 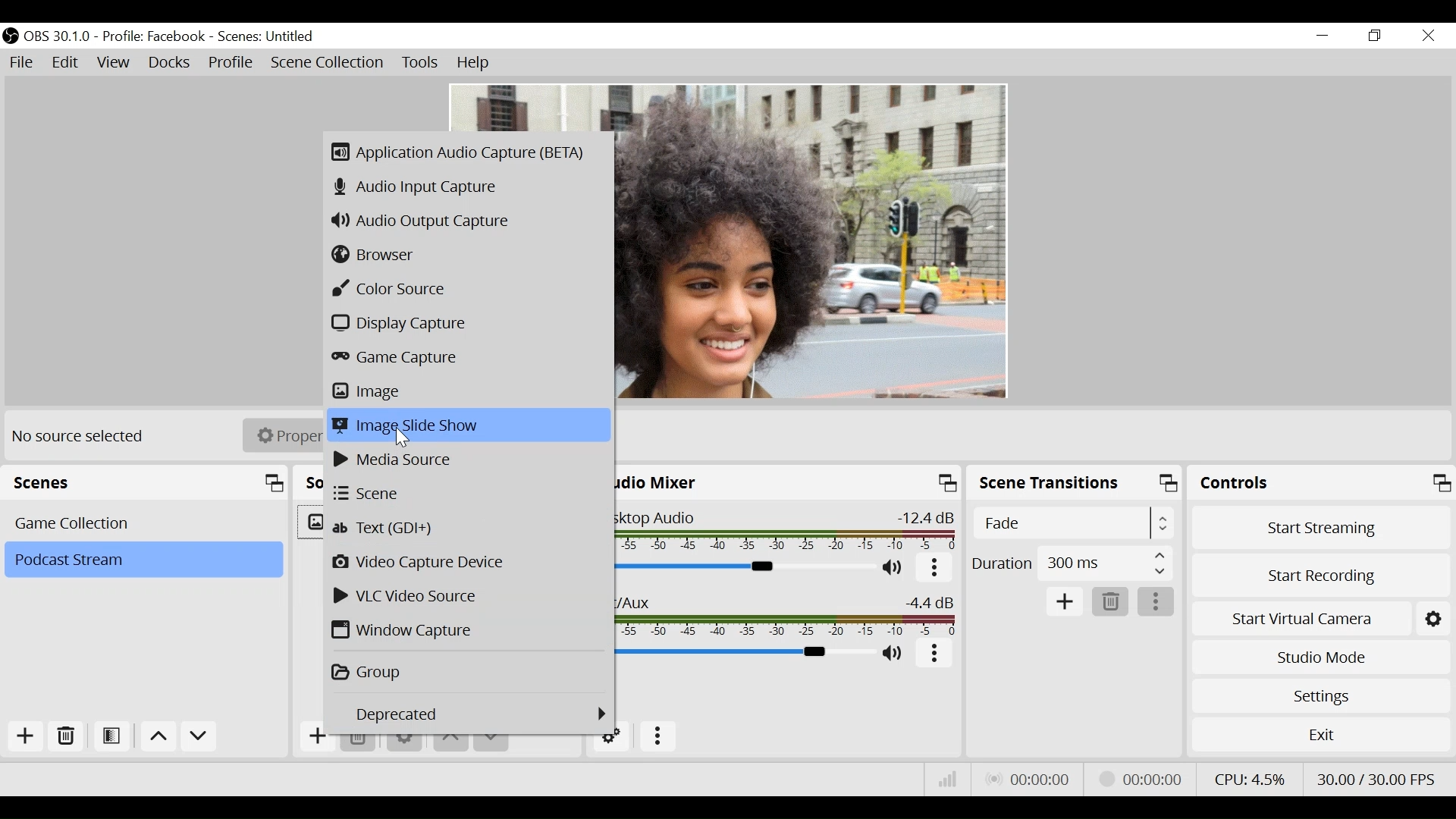 I want to click on Add, so click(x=24, y=736).